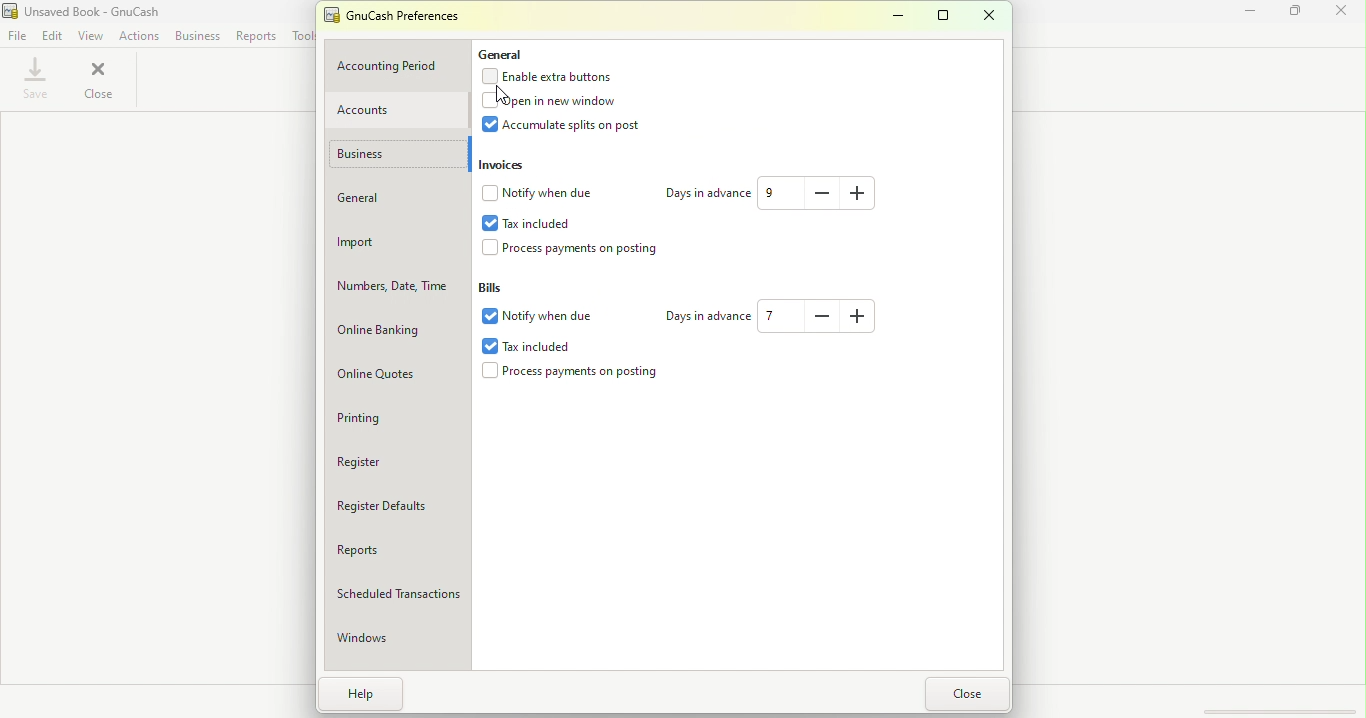 Image resolution: width=1366 pixels, height=718 pixels. Describe the element at coordinates (398, 155) in the screenshot. I see `Business` at that location.